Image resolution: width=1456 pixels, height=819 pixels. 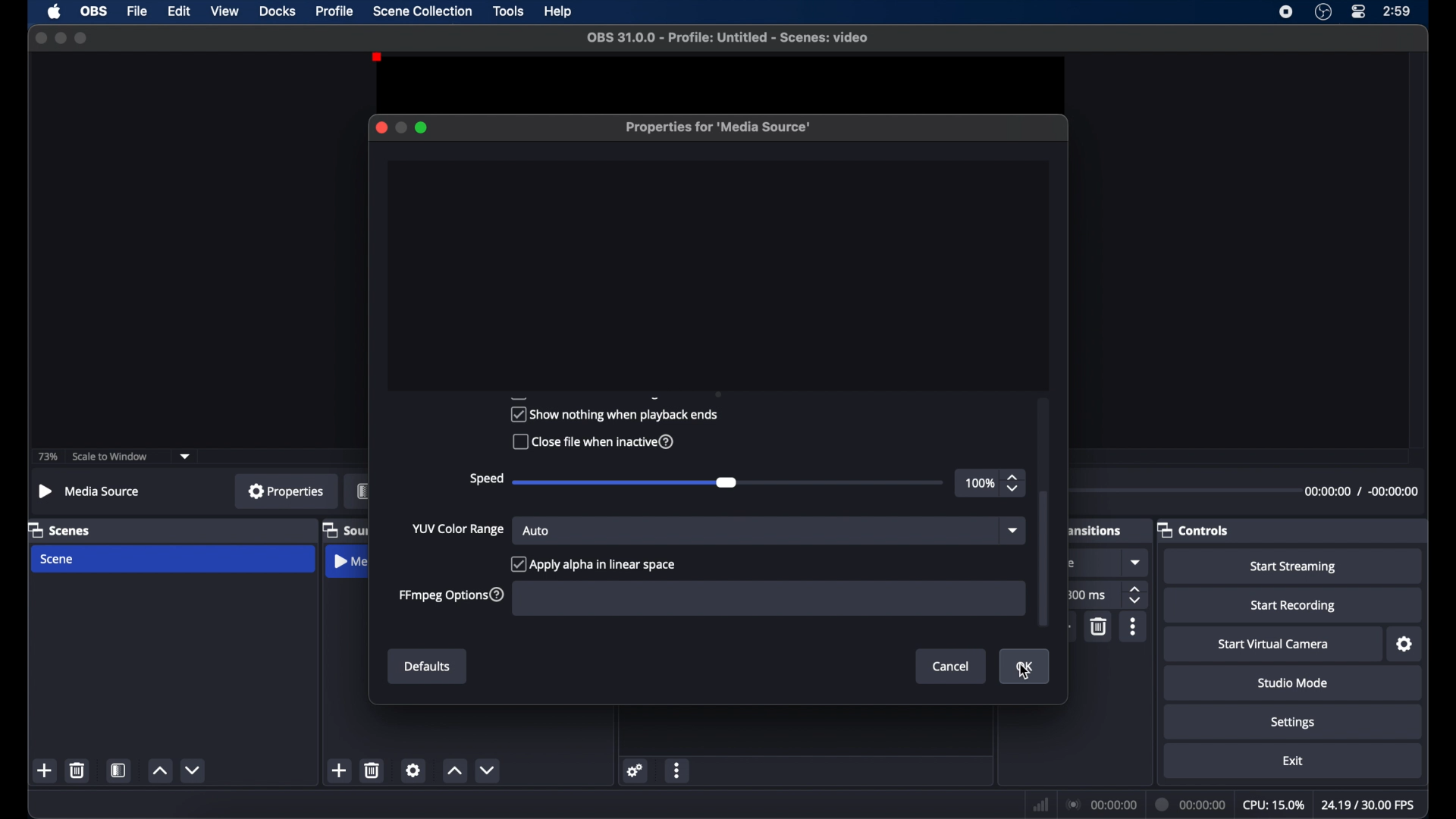 What do you see at coordinates (413, 770) in the screenshot?
I see `settings` at bounding box center [413, 770].